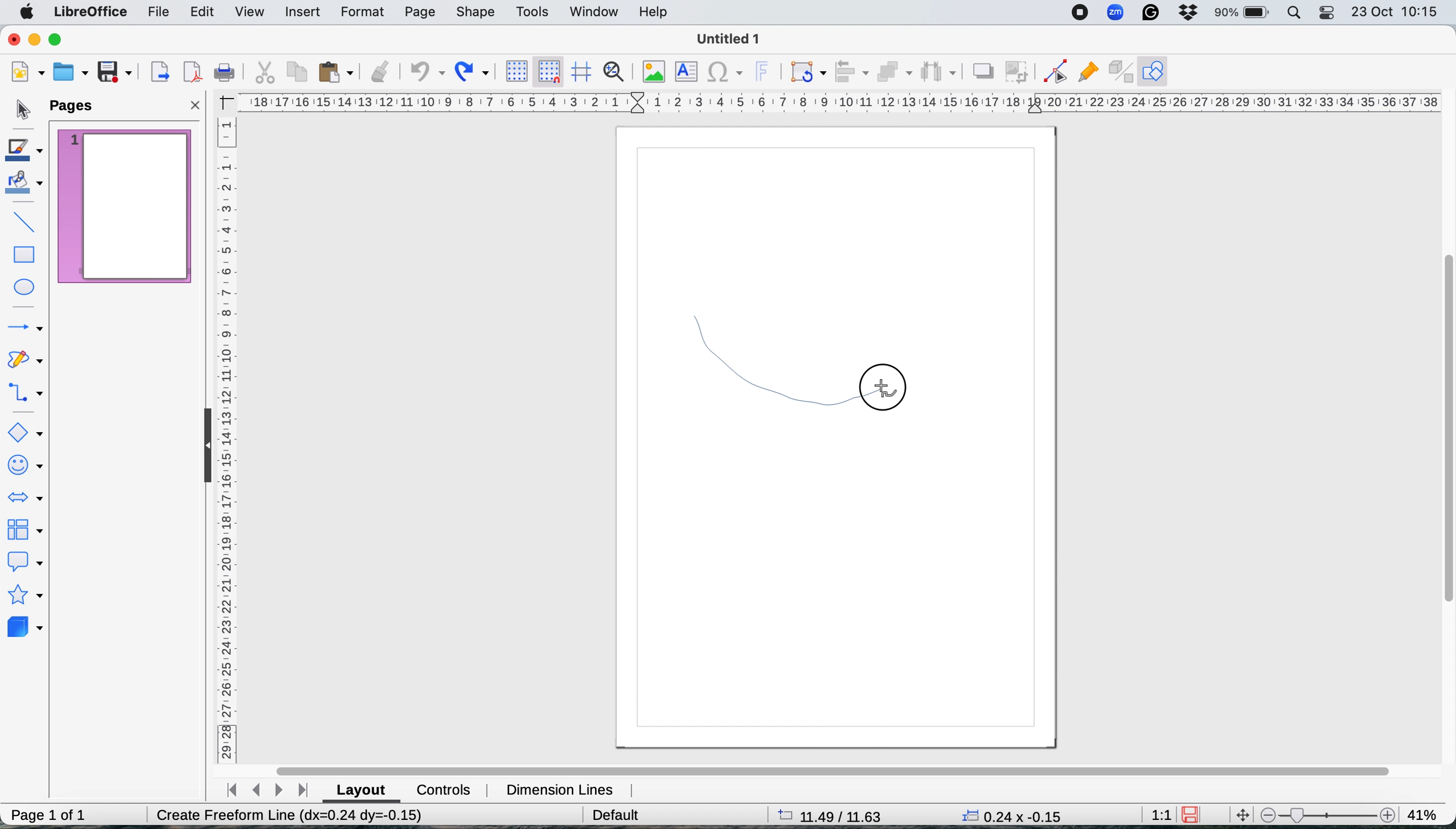  I want to click on battery, so click(1242, 14).